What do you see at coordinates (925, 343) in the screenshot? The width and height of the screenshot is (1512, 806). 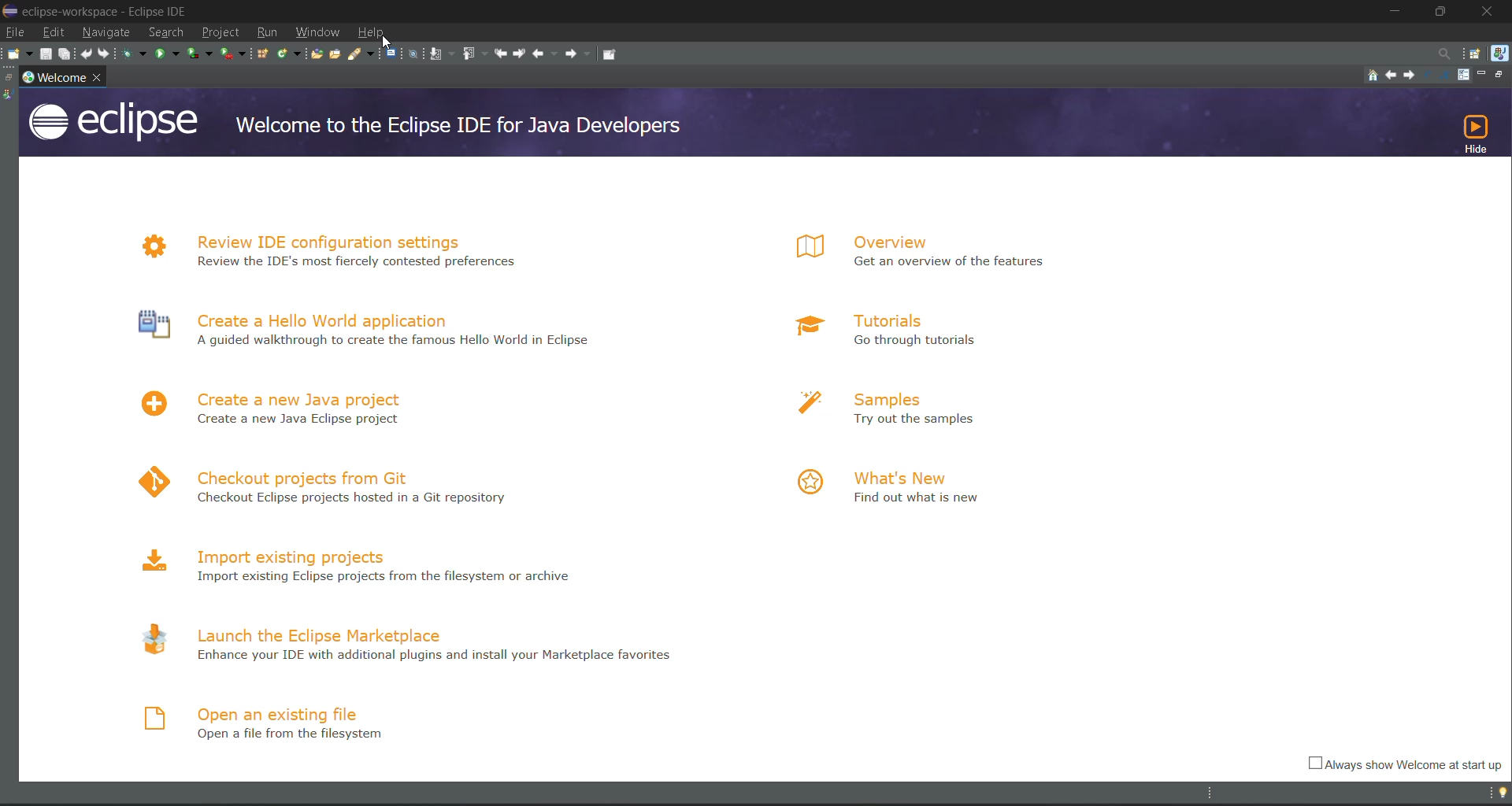 I see `Go through tutorials` at bounding box center [925, 343].